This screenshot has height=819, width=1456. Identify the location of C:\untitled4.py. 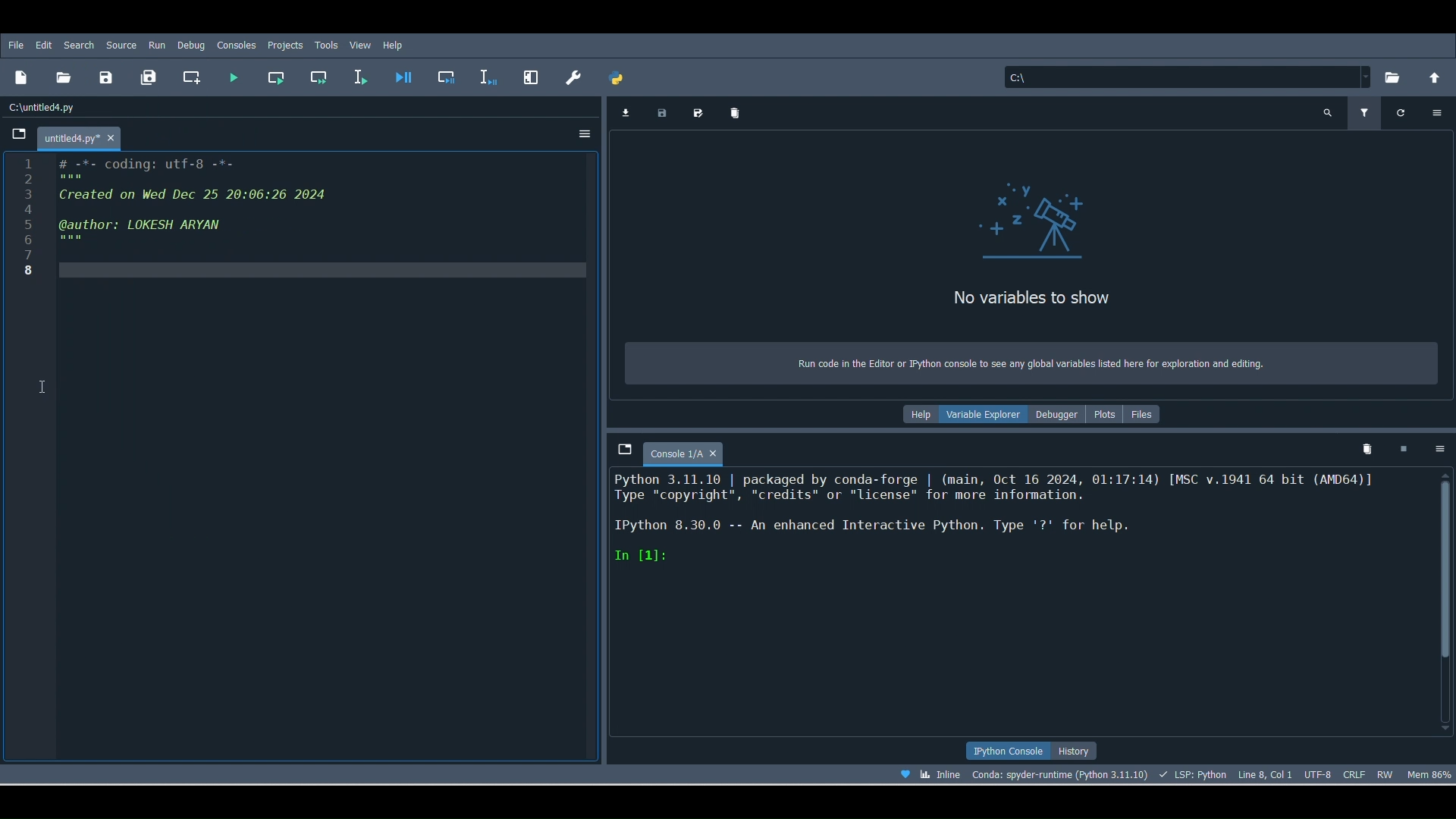
(47, 109).